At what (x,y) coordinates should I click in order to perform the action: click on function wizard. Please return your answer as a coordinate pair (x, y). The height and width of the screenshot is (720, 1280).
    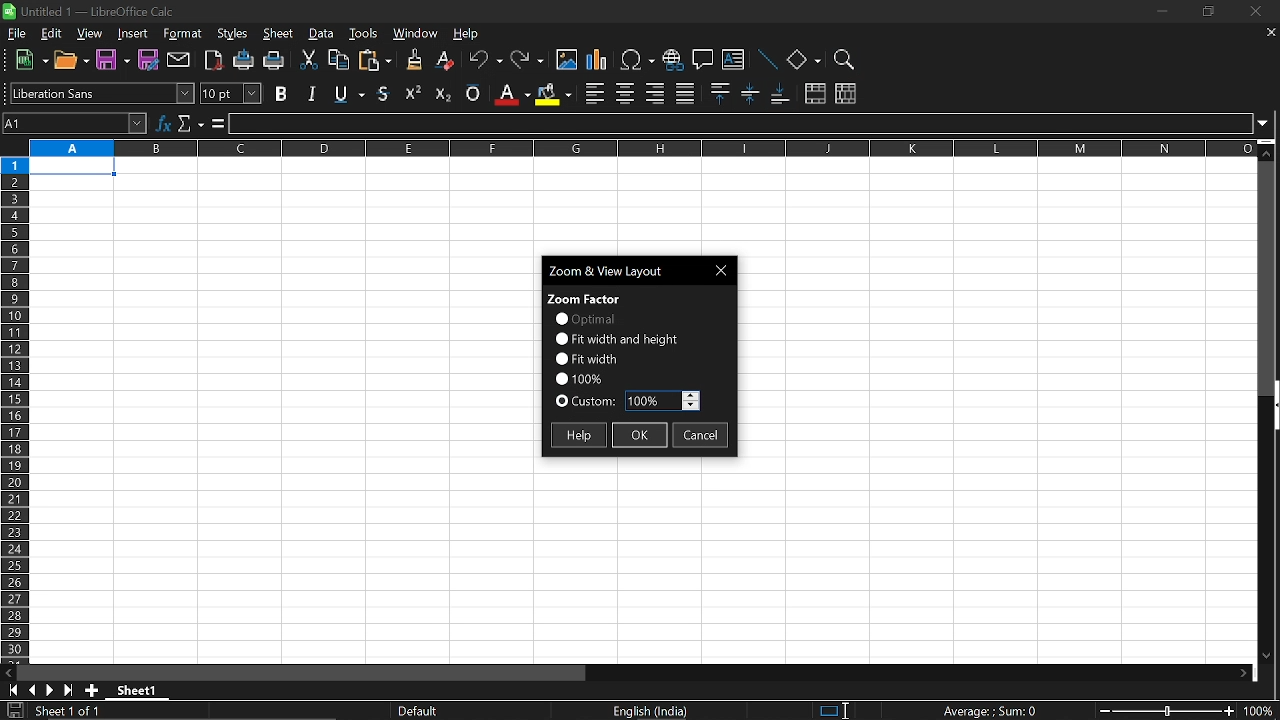
    Looking at the image, I should click on (165, 121).